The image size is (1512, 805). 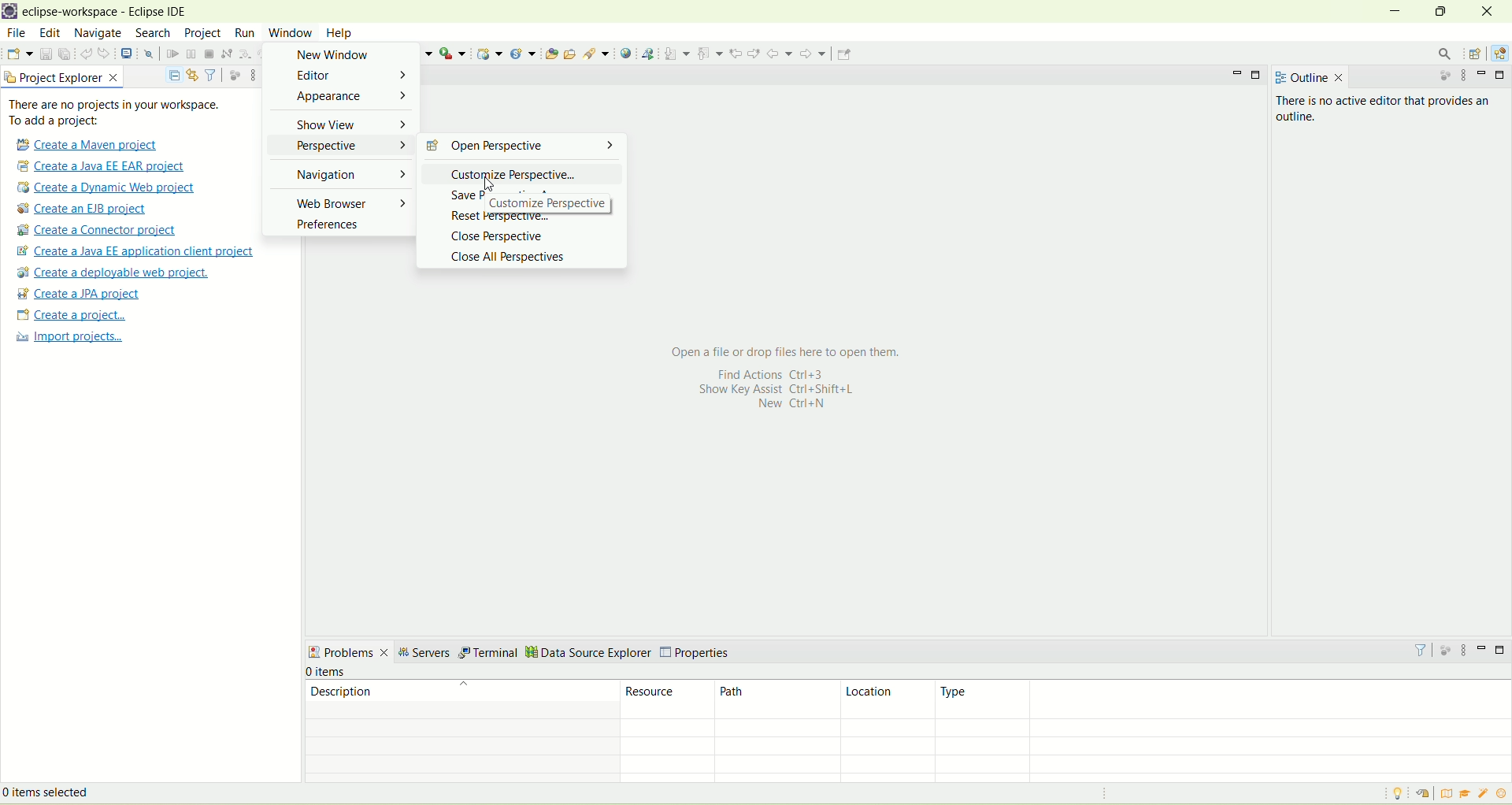 I want to click on create a project, so click(x=69, y=315).